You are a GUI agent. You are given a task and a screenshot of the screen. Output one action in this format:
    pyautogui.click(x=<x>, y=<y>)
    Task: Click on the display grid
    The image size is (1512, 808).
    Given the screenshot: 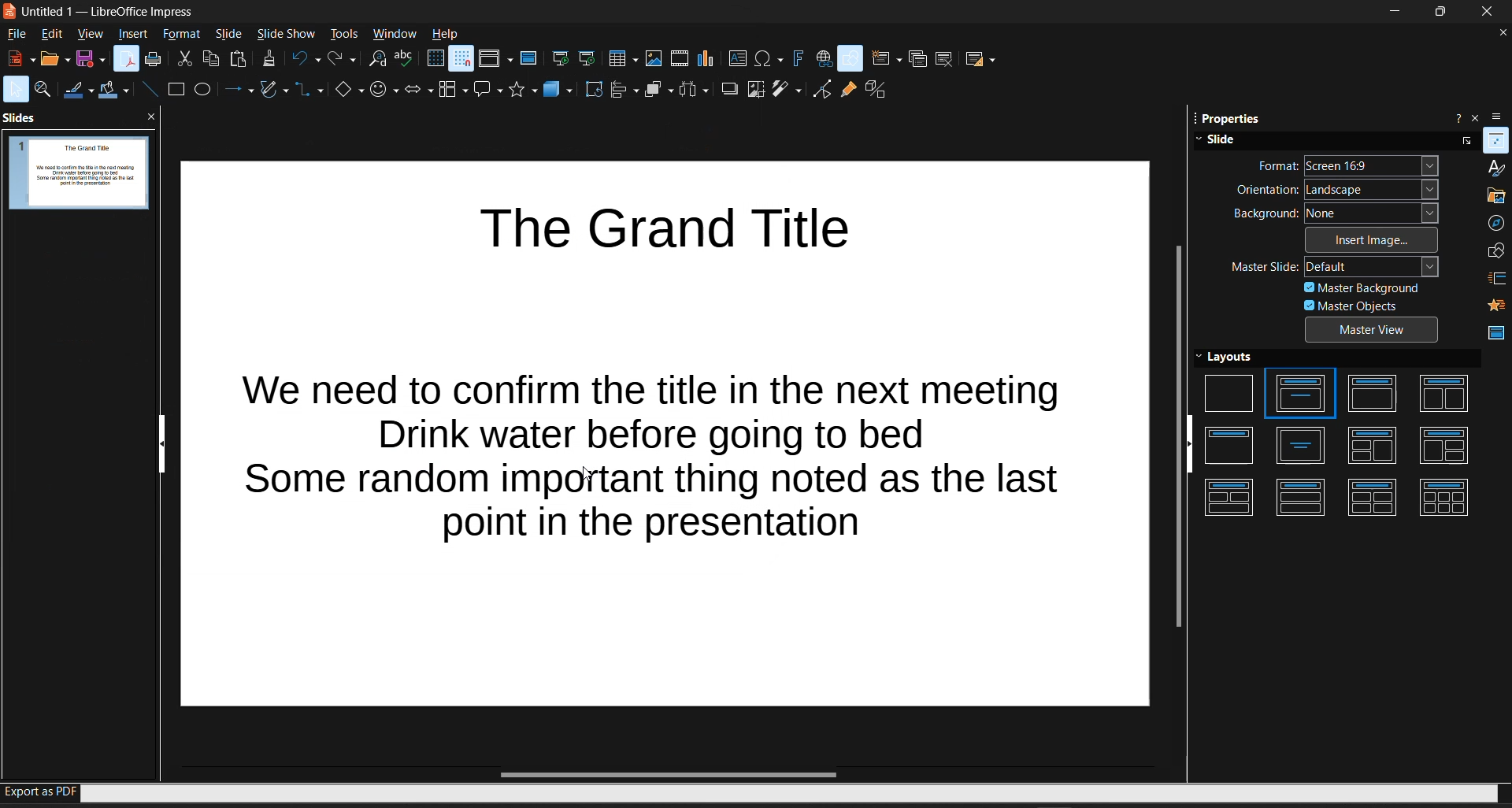 What is the action you would take?
    pyautogui.click(x=432, y=58)
    